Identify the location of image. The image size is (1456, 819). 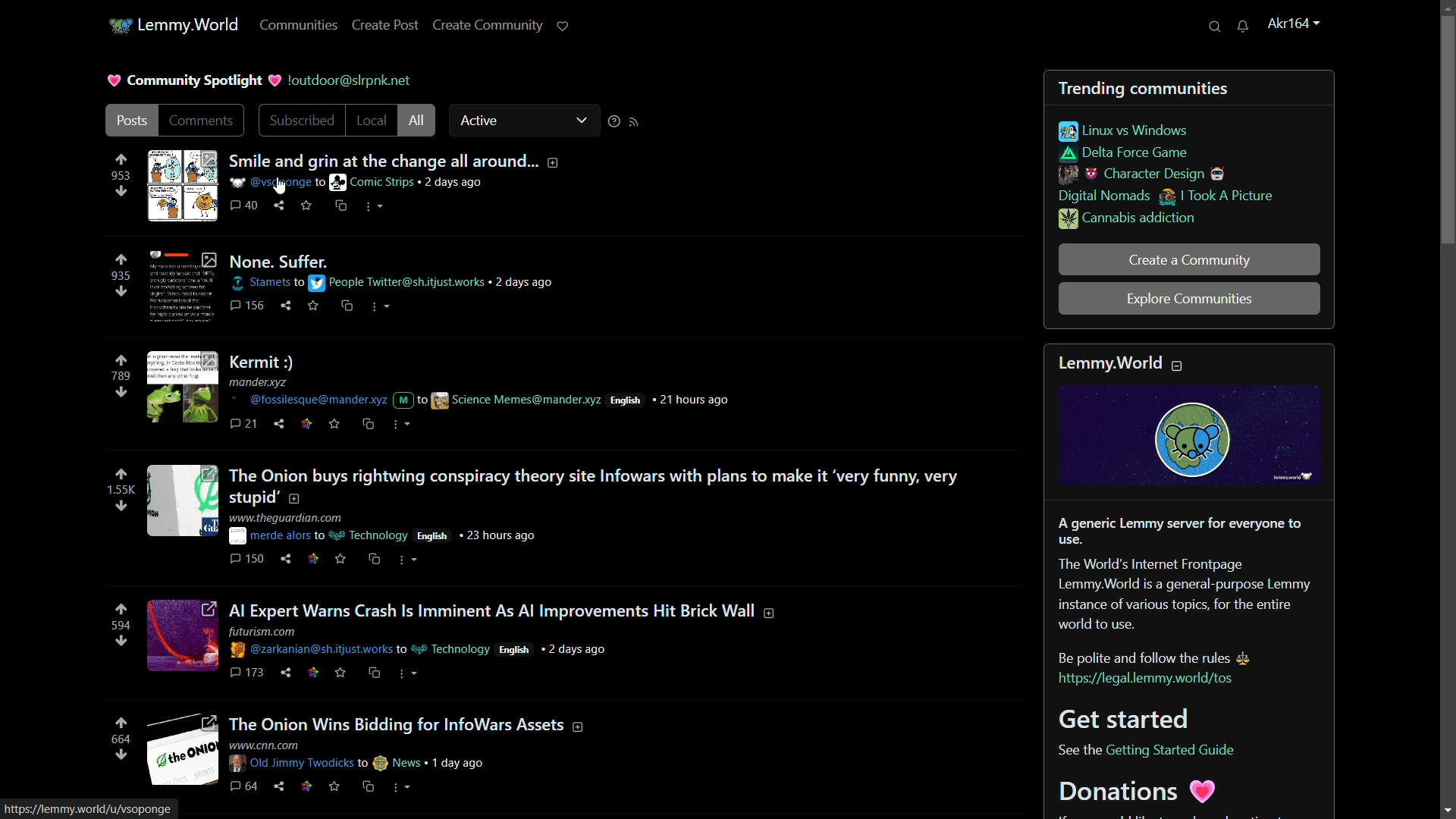
(184, 635).